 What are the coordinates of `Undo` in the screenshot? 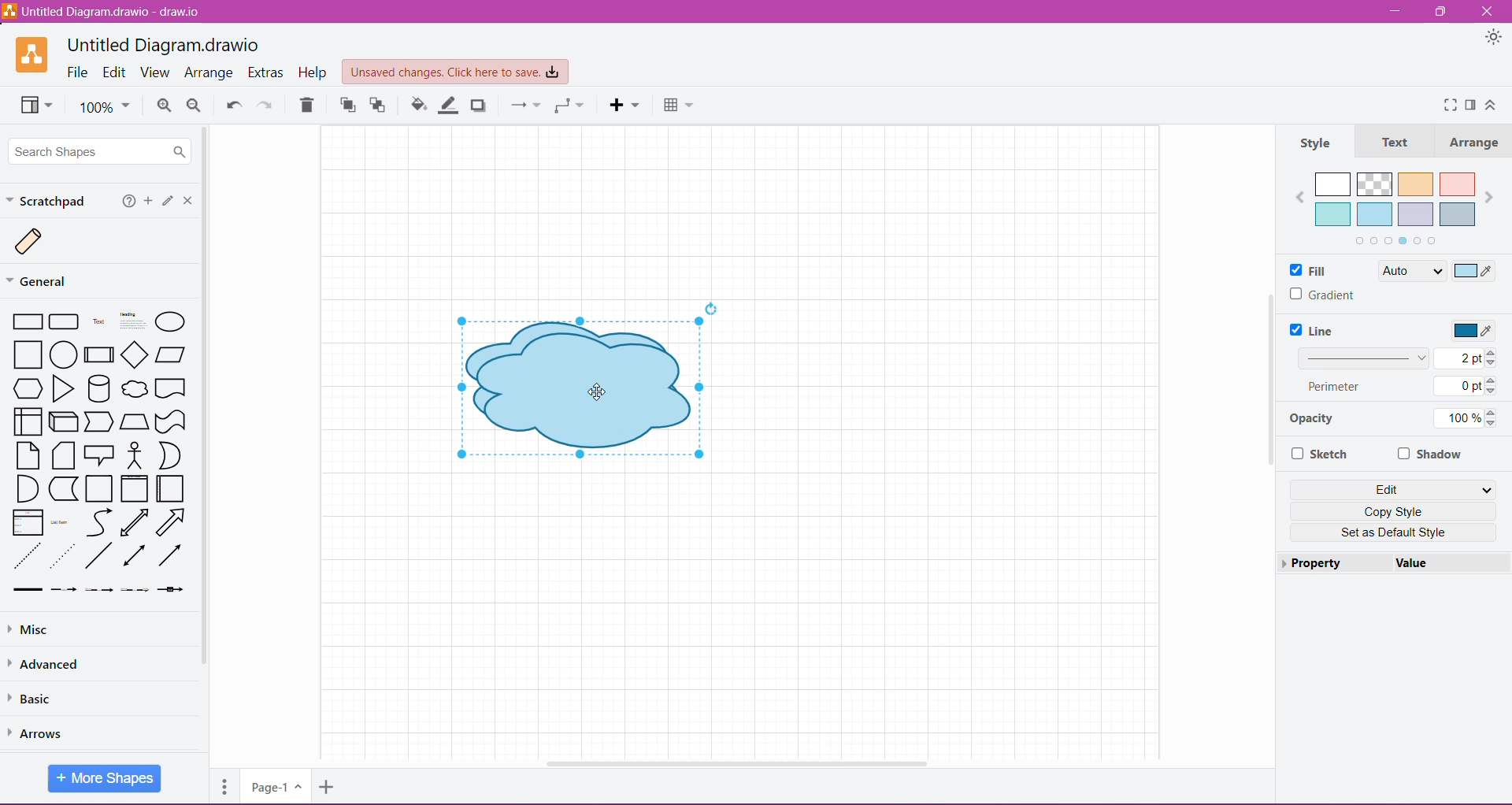 It's located at (234, 106).